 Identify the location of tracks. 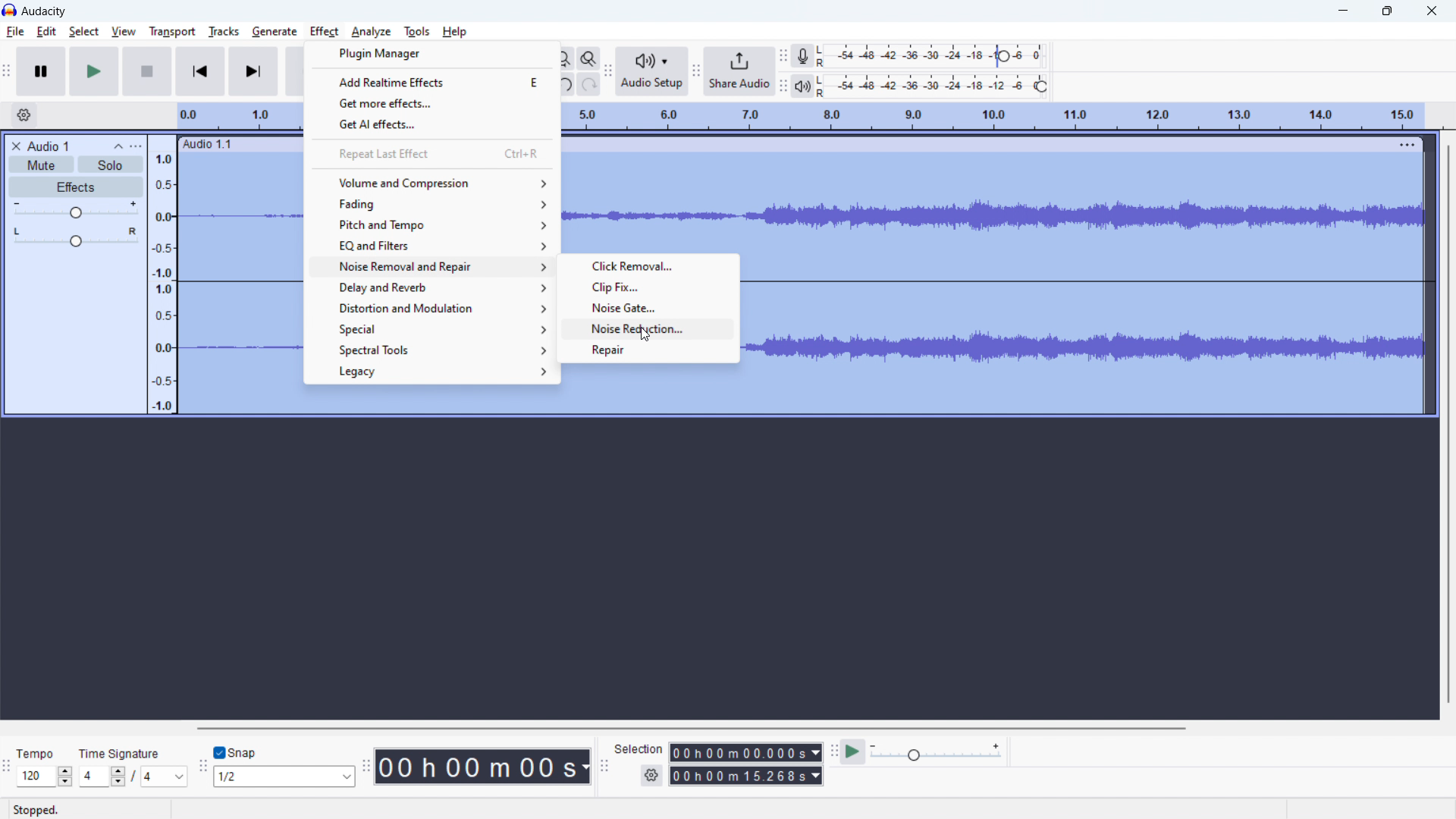
(223, 31).